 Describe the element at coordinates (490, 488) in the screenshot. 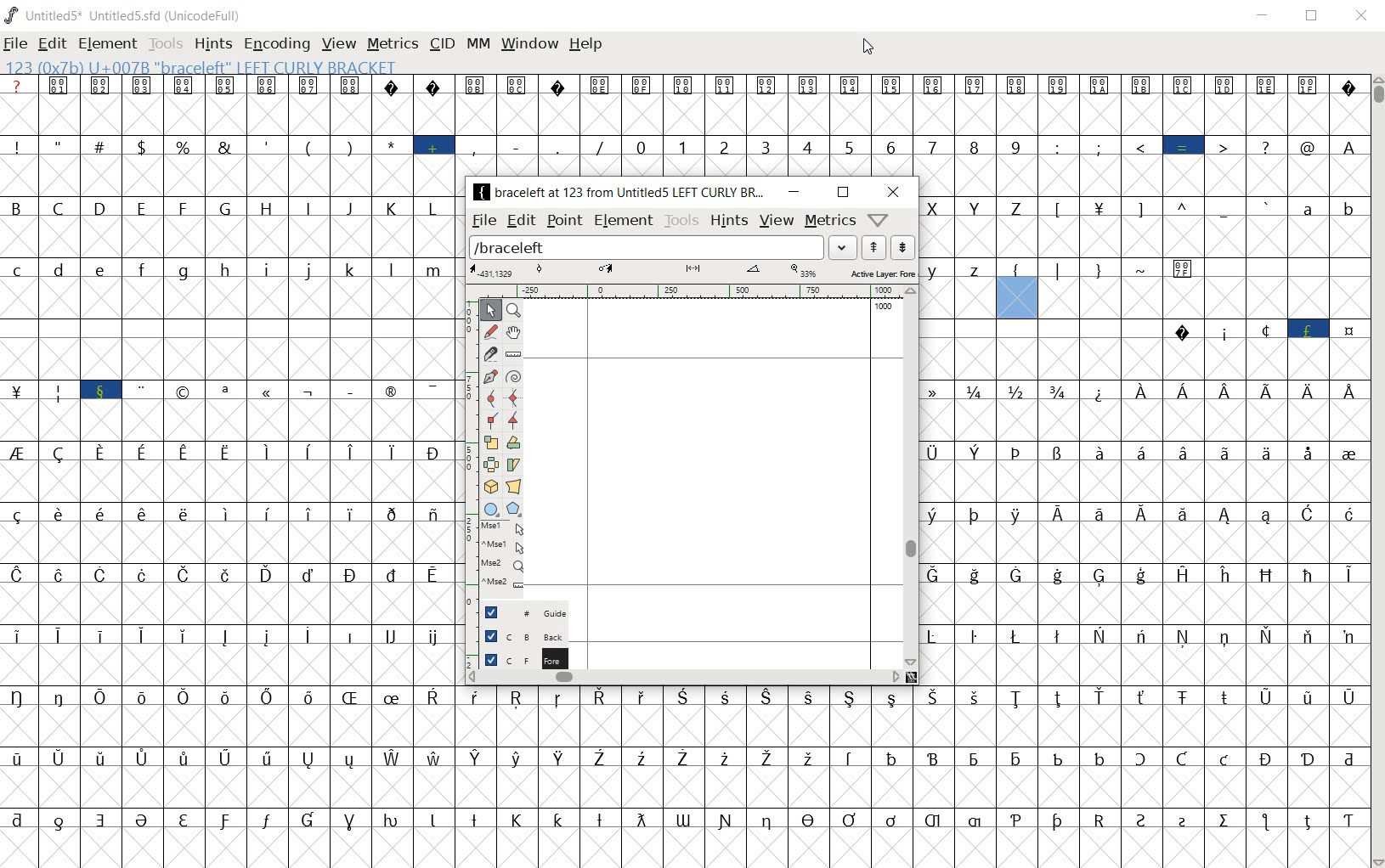

I see `rotate the selection in 3D and project back to plane` at that location.